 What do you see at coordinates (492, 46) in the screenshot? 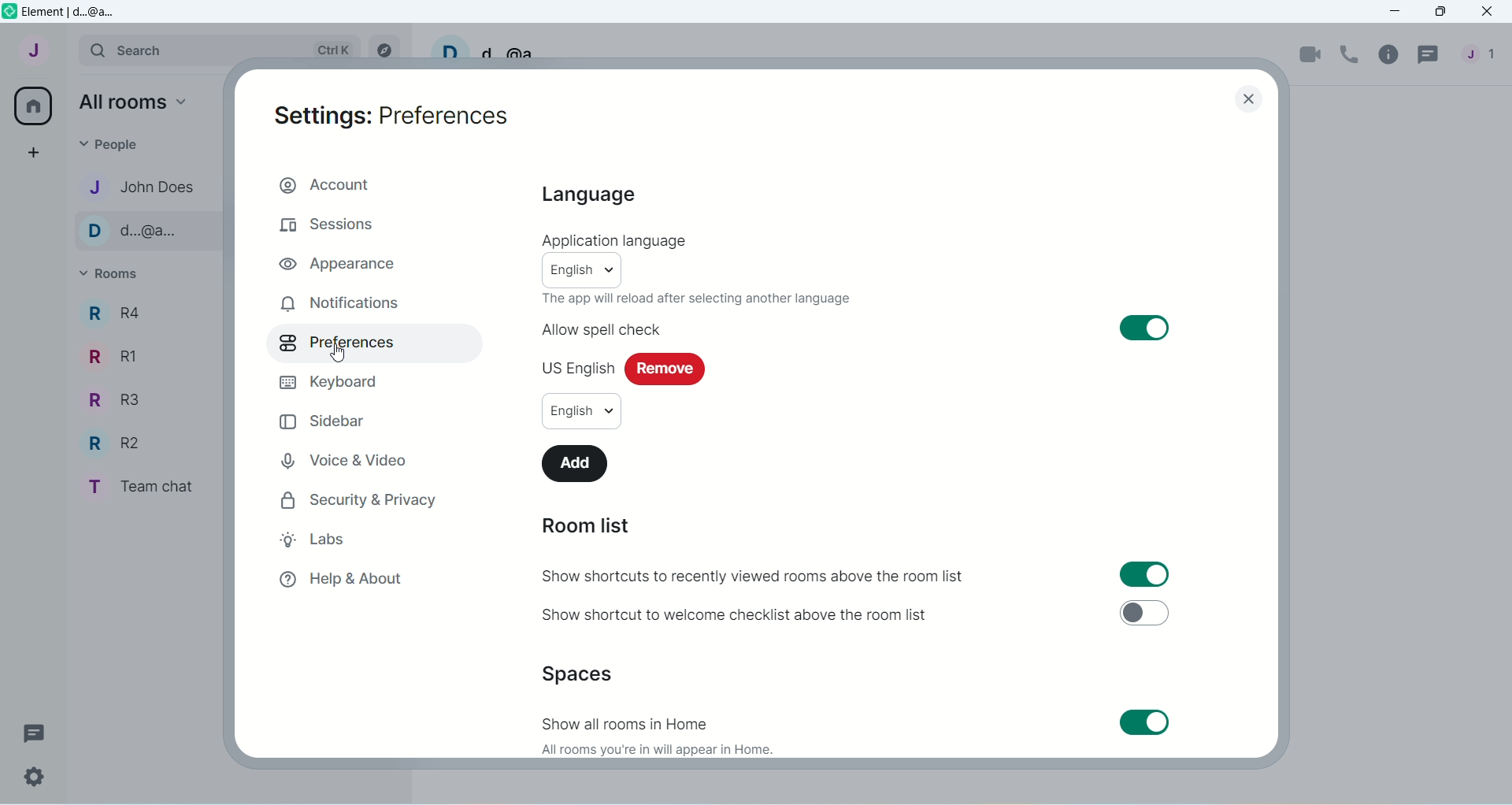
I see `Username- d..@a` at bounding box center [492, 46].